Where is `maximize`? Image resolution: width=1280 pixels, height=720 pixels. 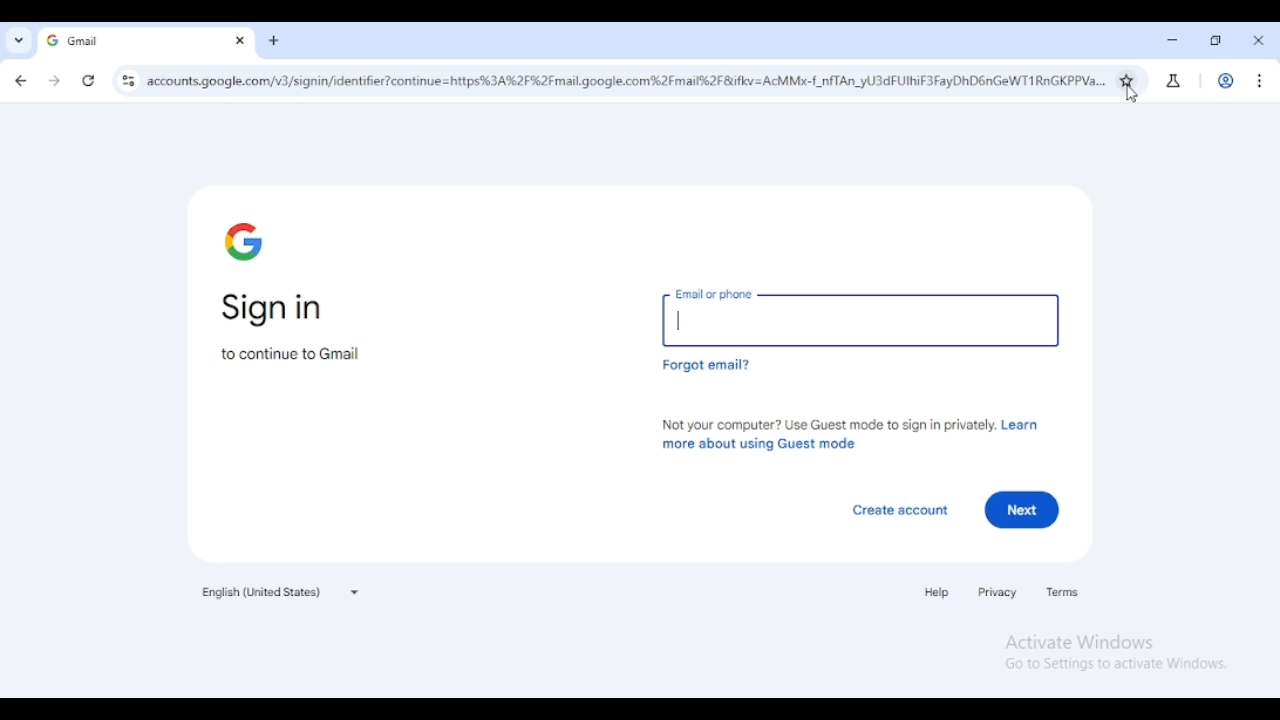
maximize is located at coordinates (1216, 41).